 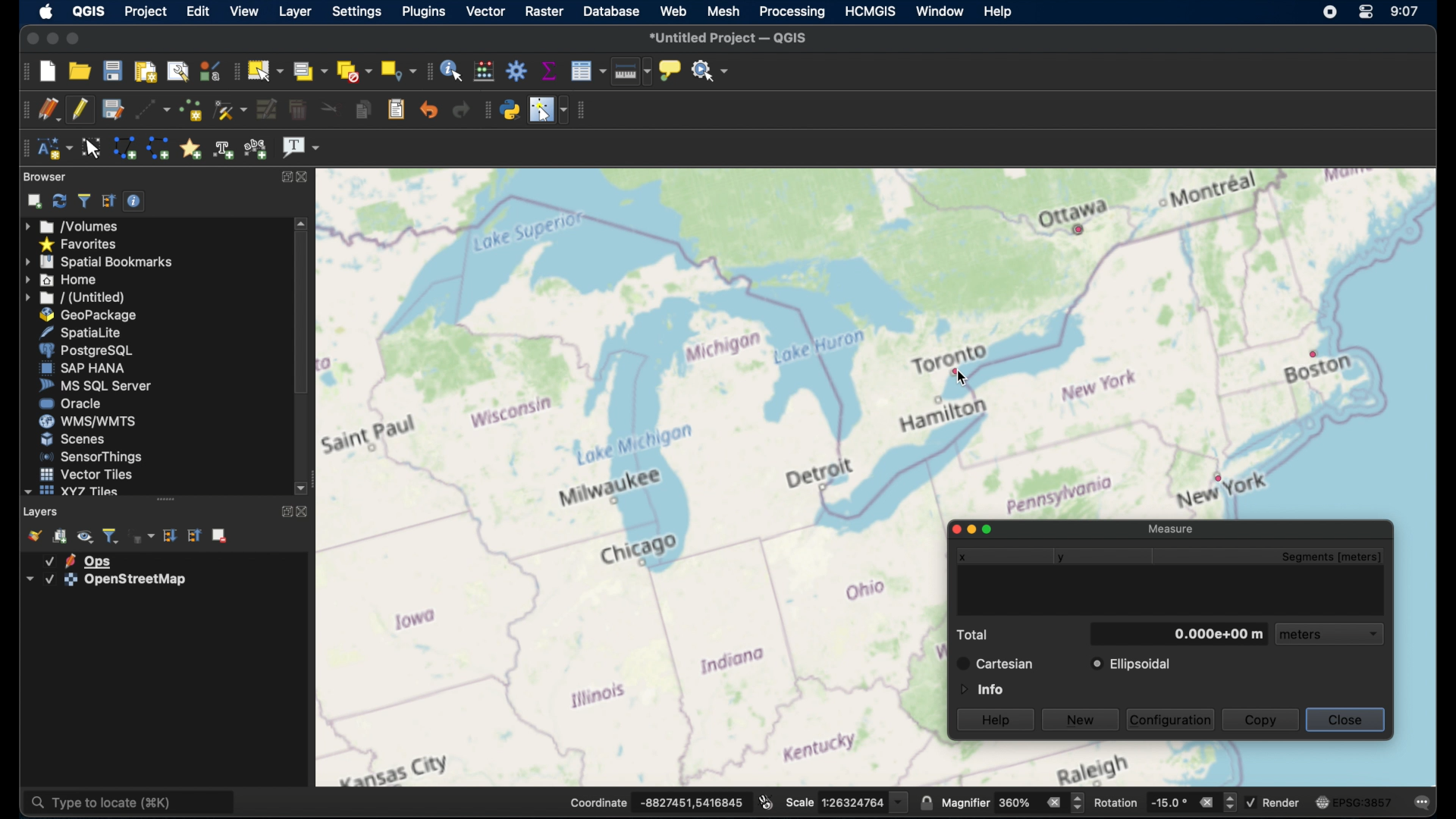 What do you see at coordinates (1350, 720) in the screenshot?
I see `close` at bounding box center [1350, 720].